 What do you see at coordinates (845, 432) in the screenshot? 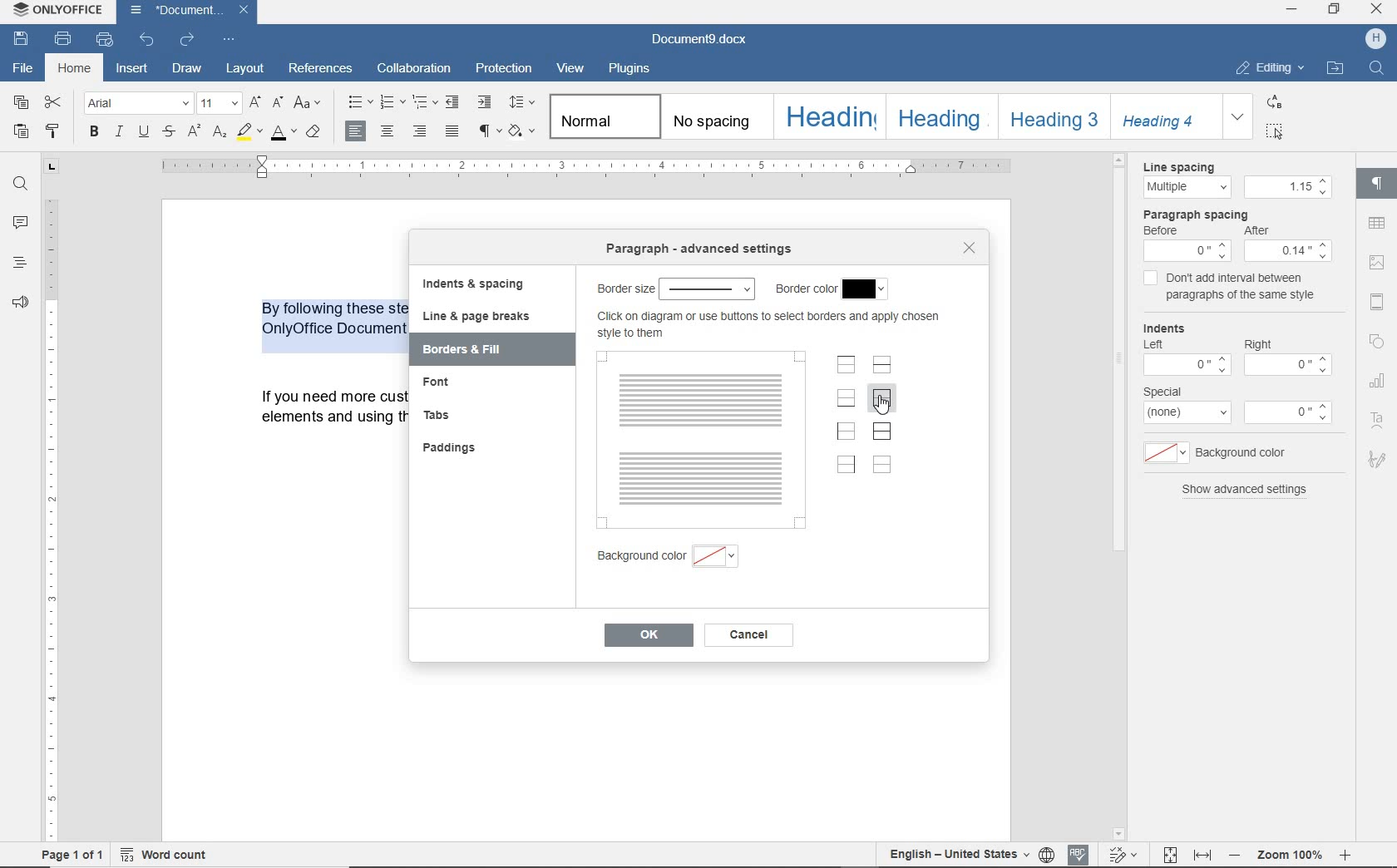
I see `set left border only` at bounding box center [845, 432].